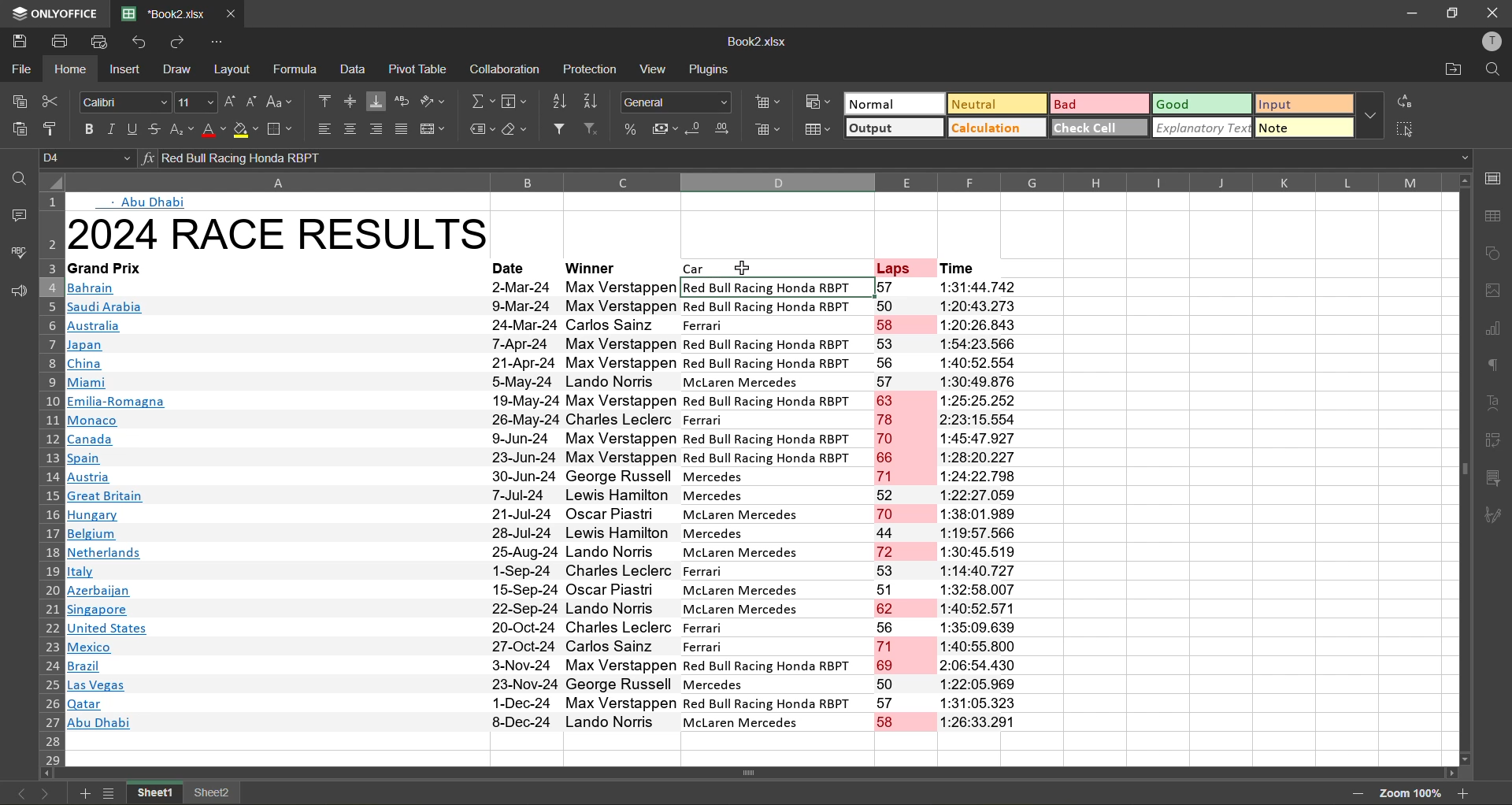 This screenshot has width=1512, height=805. Describe the element at coordinates (54, 12) in the screenshot. I see `app name` at that location.